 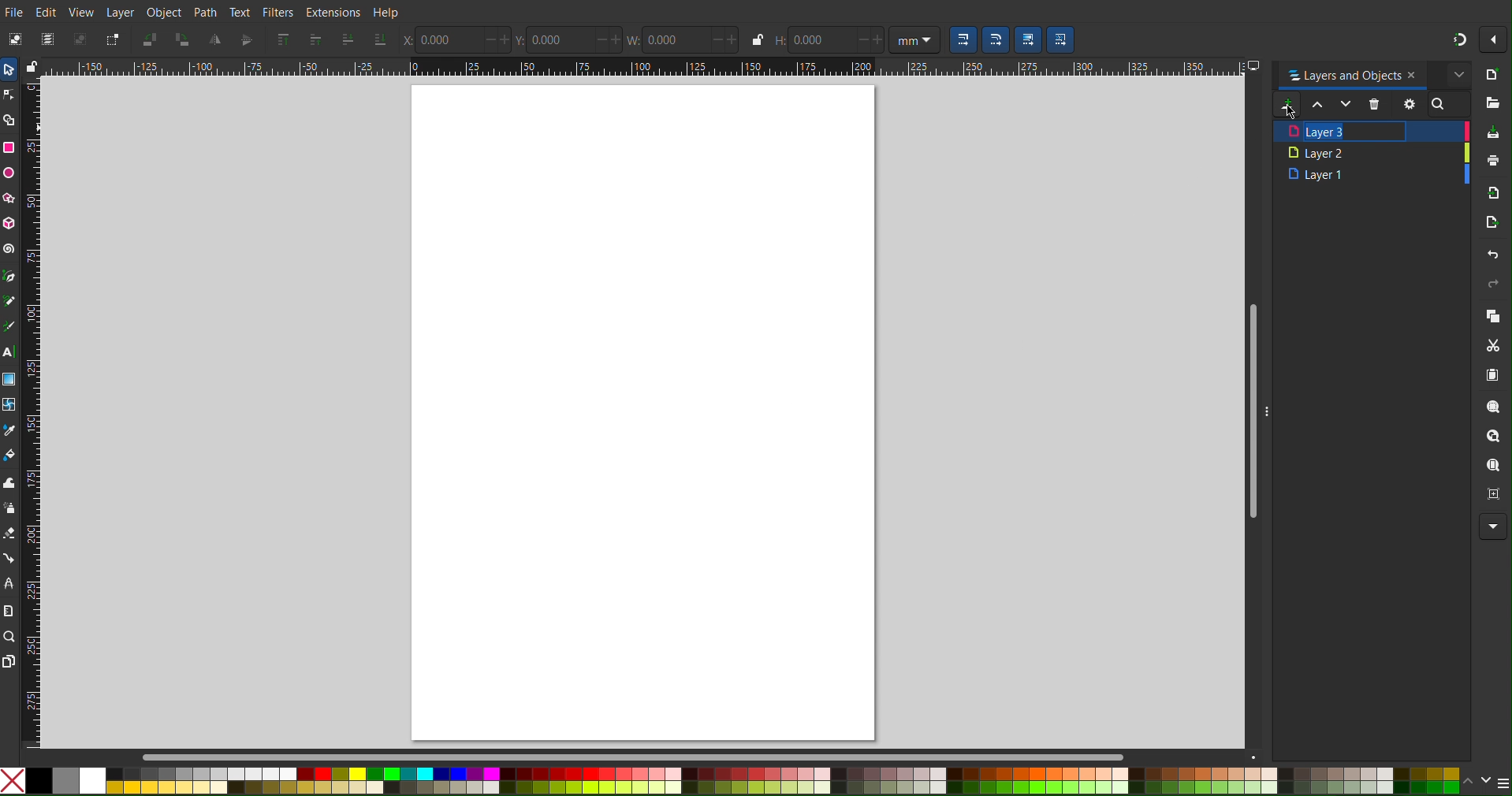 I want to click on Open Export, so click(x=1492, y=225).